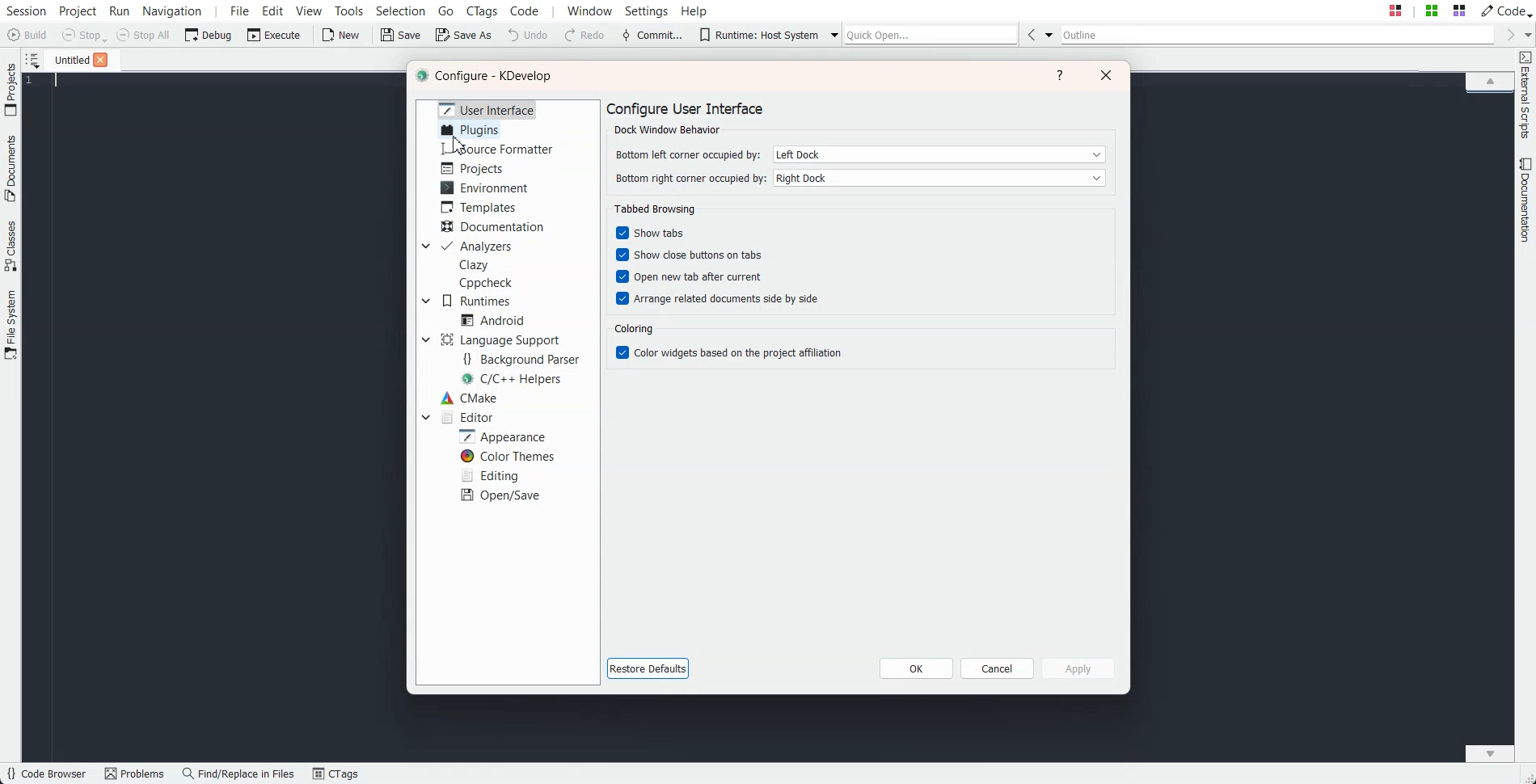 The width and height of the screenshot is (1536, 784). What do you see at coordinates (931, 34) in the screenshot?
I see `Quick Open` at bounding box center [931, 34].